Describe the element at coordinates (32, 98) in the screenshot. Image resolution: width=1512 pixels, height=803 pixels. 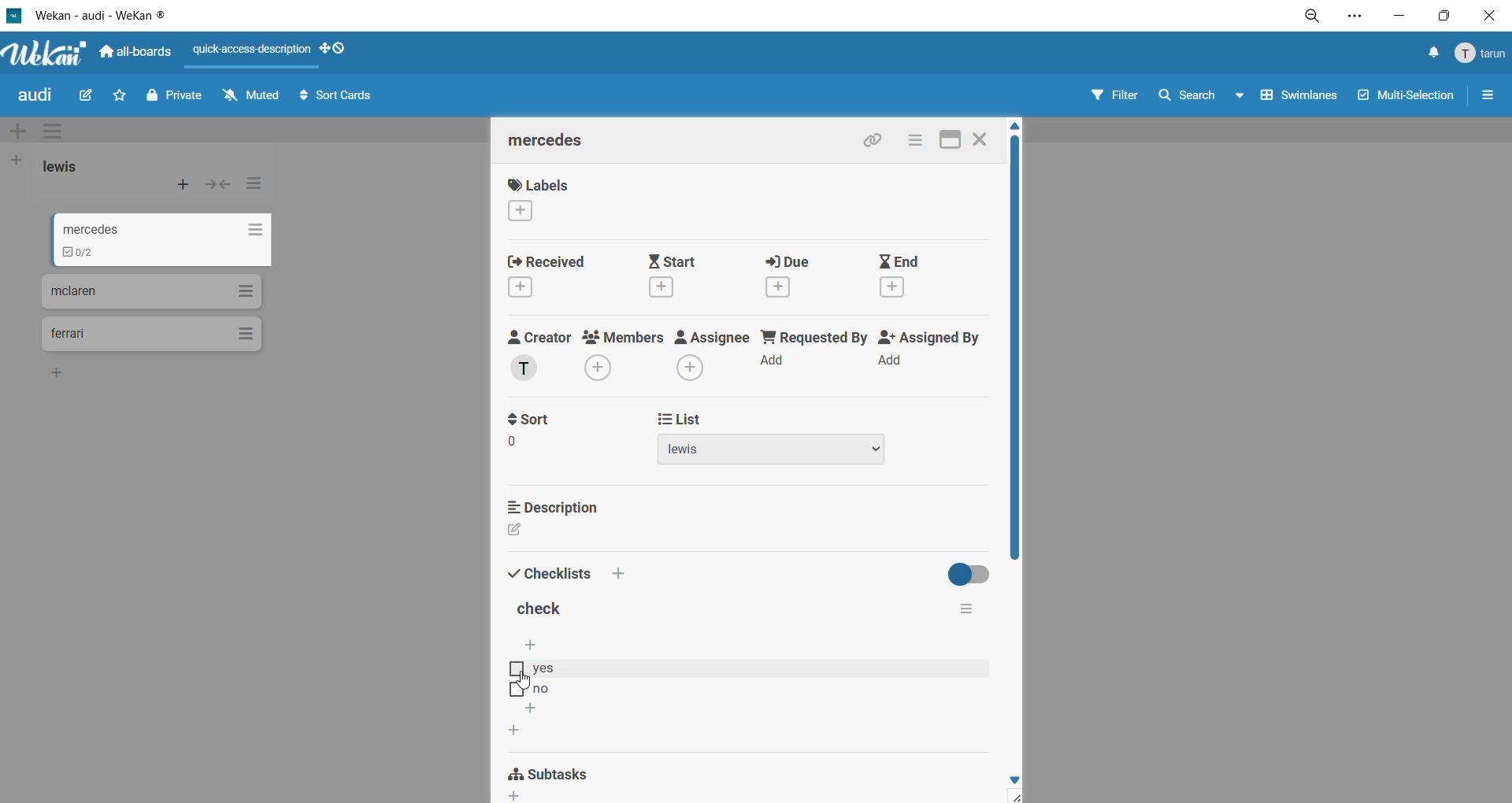
I see `board title` at that location.